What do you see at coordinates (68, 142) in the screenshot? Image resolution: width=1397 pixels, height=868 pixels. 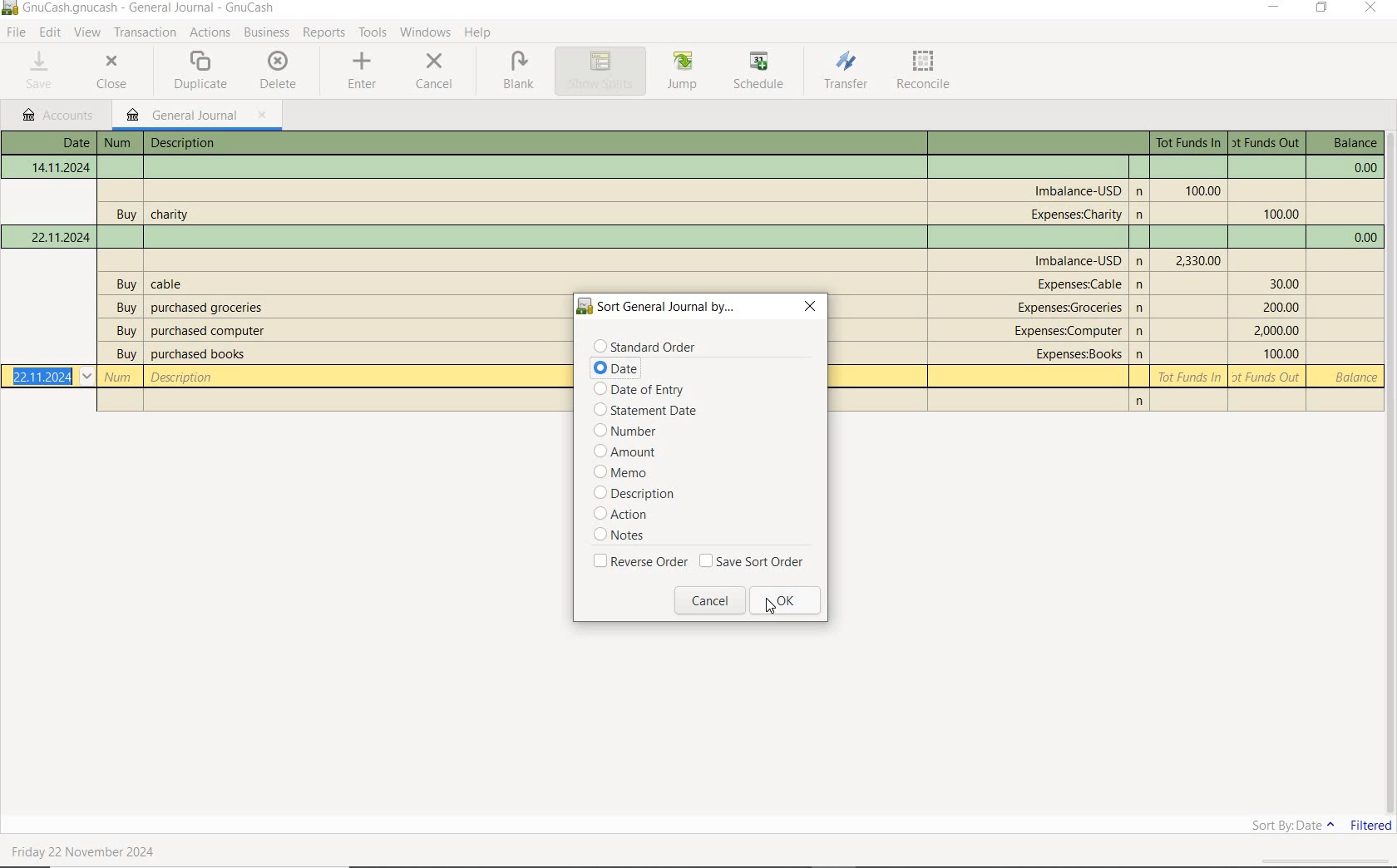 I see `Date` at bounding box center [68, 142].